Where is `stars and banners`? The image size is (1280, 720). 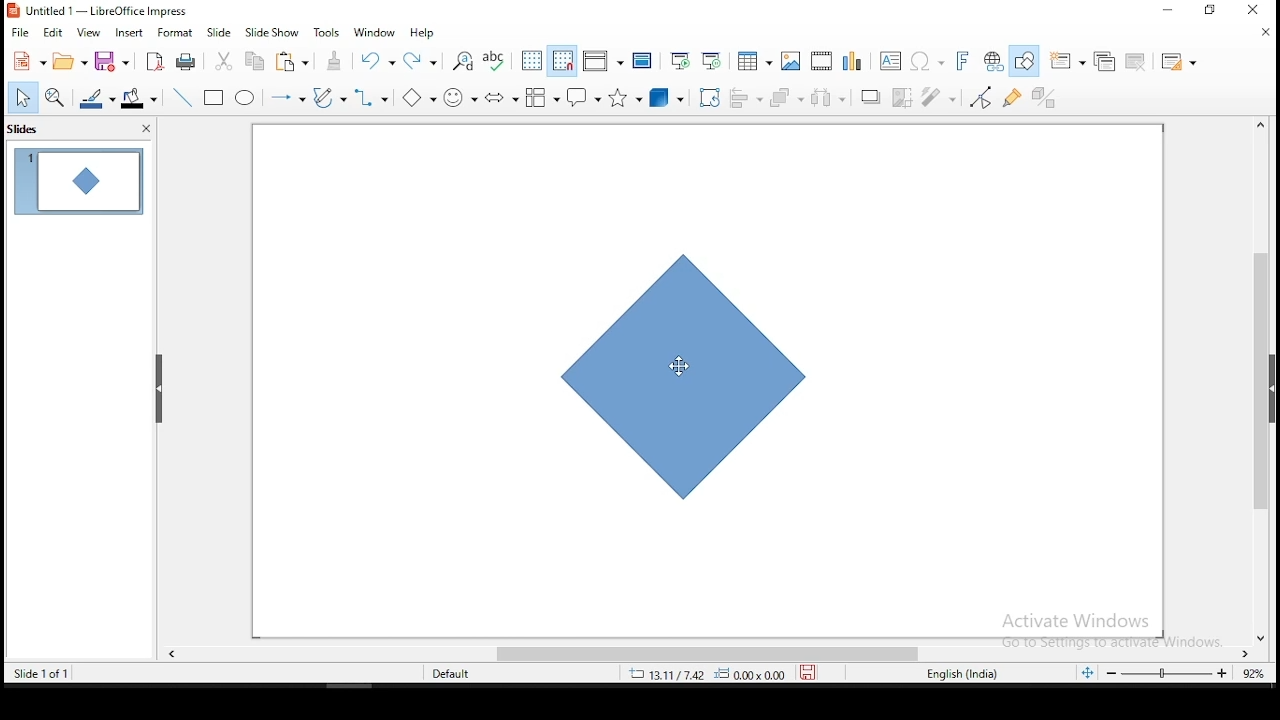 stars and banners is located at coordinates (624, 97).